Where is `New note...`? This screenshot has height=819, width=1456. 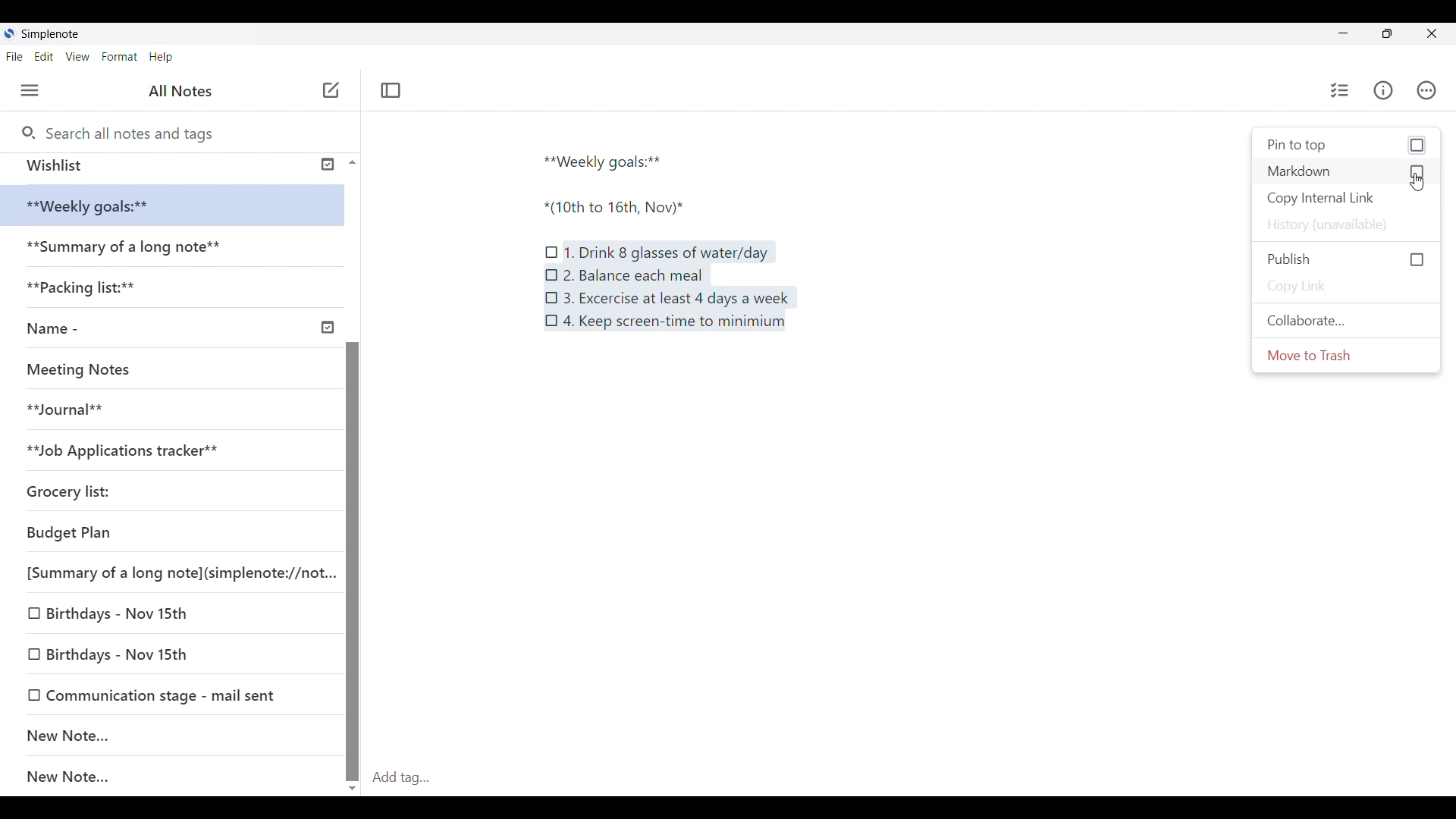 New note... is located at coordinates (180, 777).